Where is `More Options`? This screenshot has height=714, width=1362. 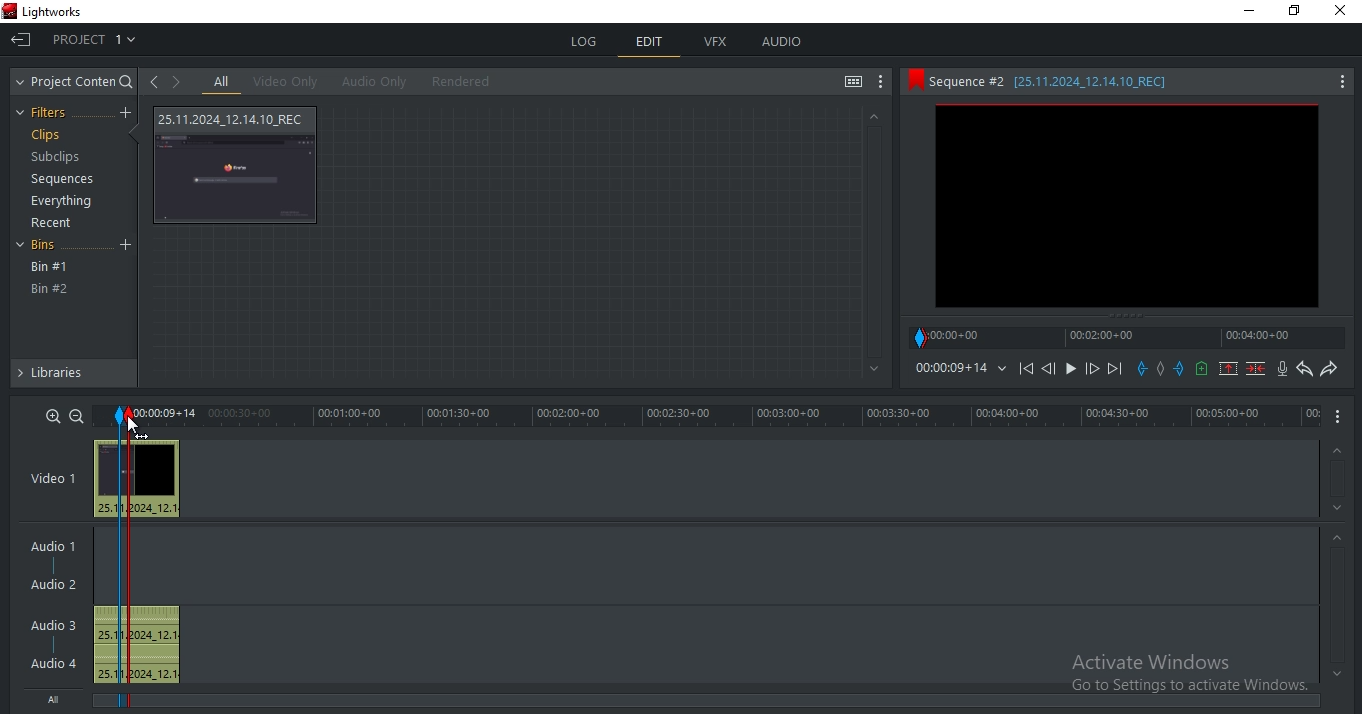
More Options is located at coordinates (1342, 417).